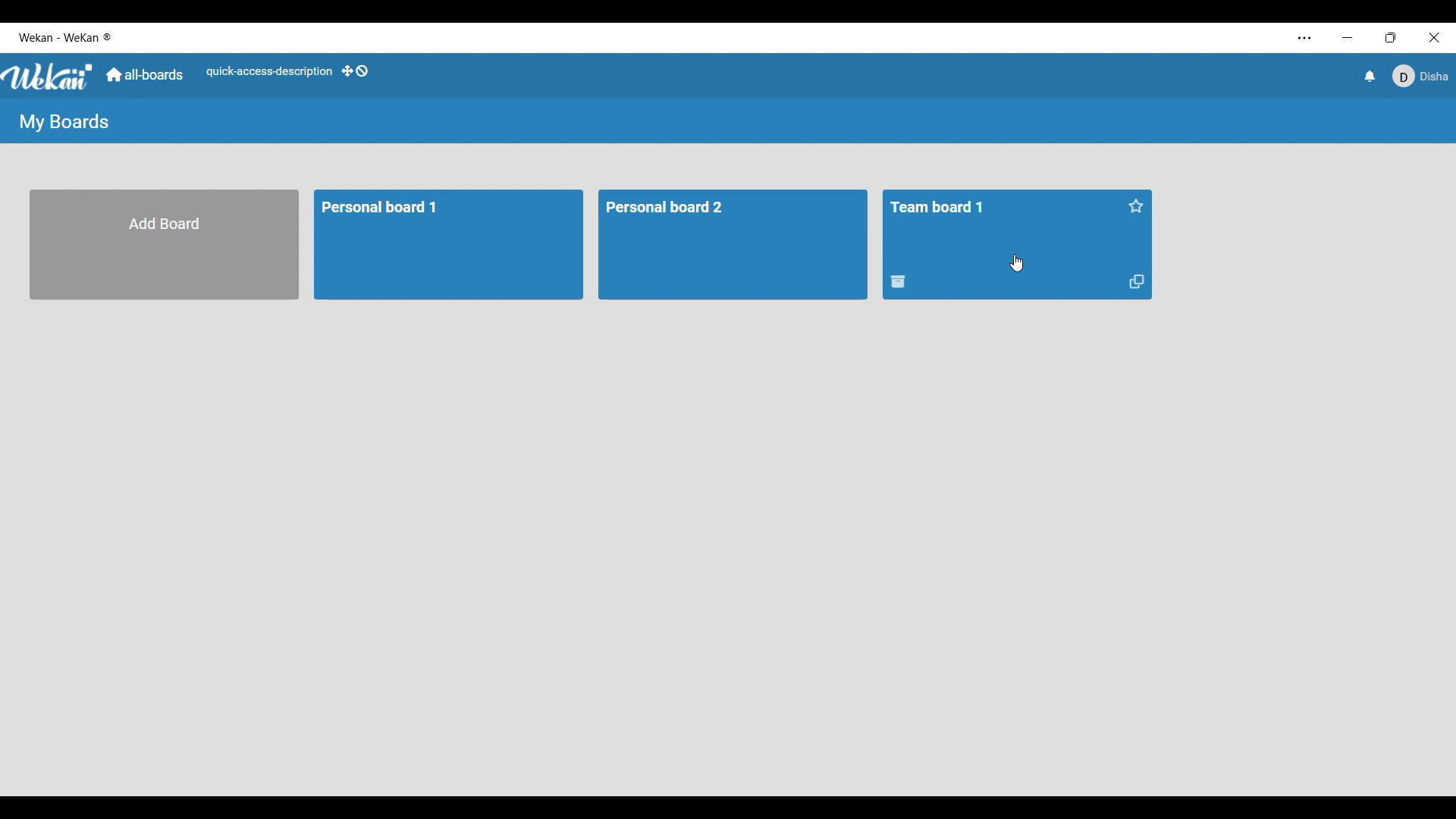 The width and height of the screenshot is (1456, 819). Describe the element at coordinates (1136, 206) in the screenshot. I see `Star board` at that location.